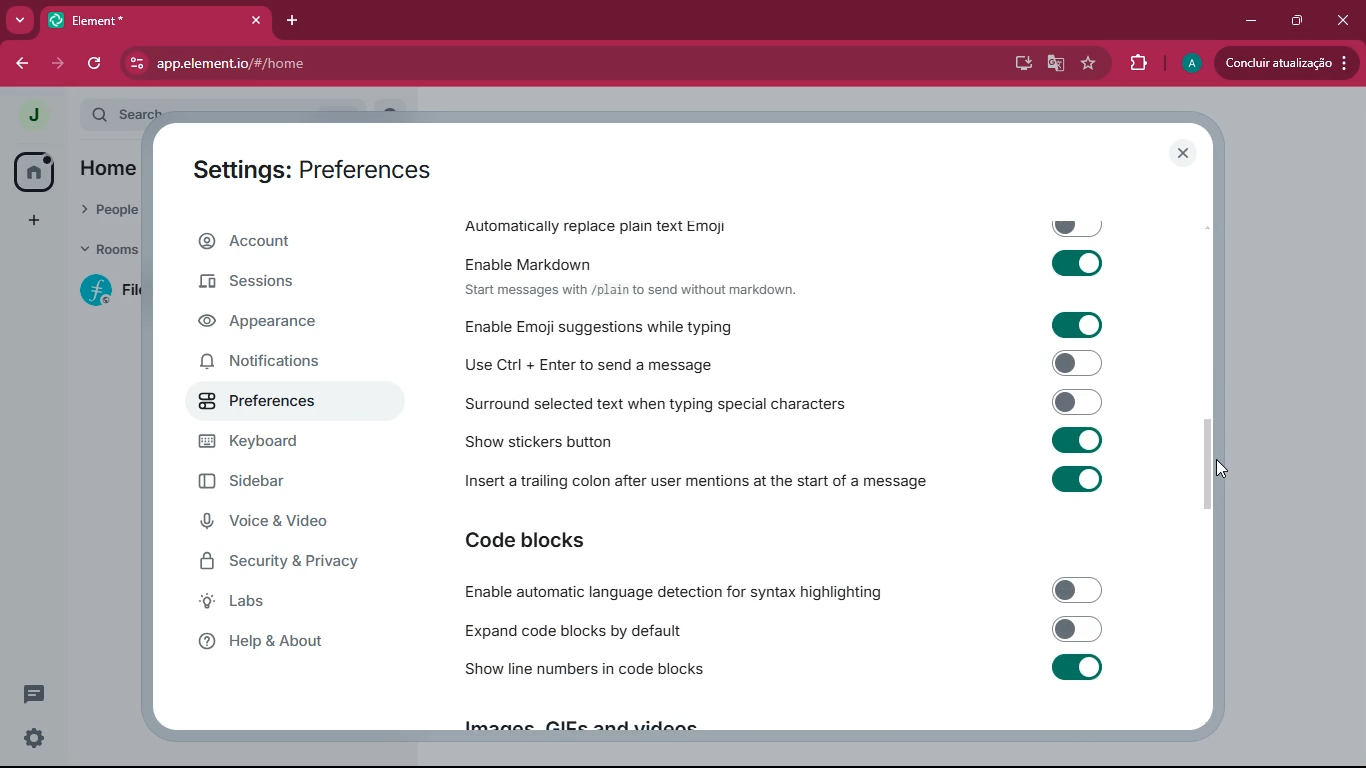 This screenshot has width=1366, height=768. Describe the element at coordinates (786, 222) in the screenshot. I see `Automatically replace plain text Emoji` at that location.